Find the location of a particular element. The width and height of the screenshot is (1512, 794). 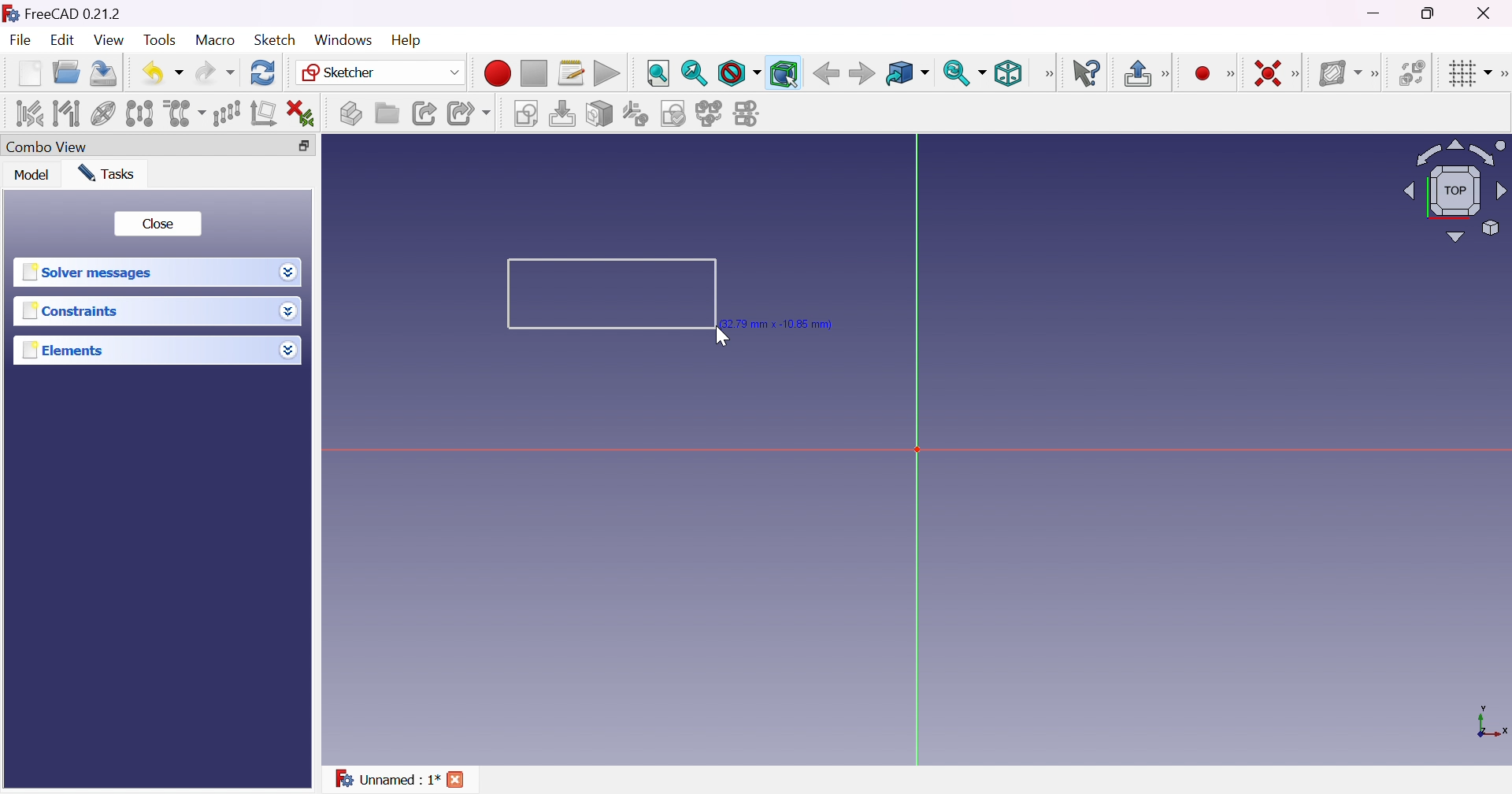

Create group is located at coordinates (387, 114).